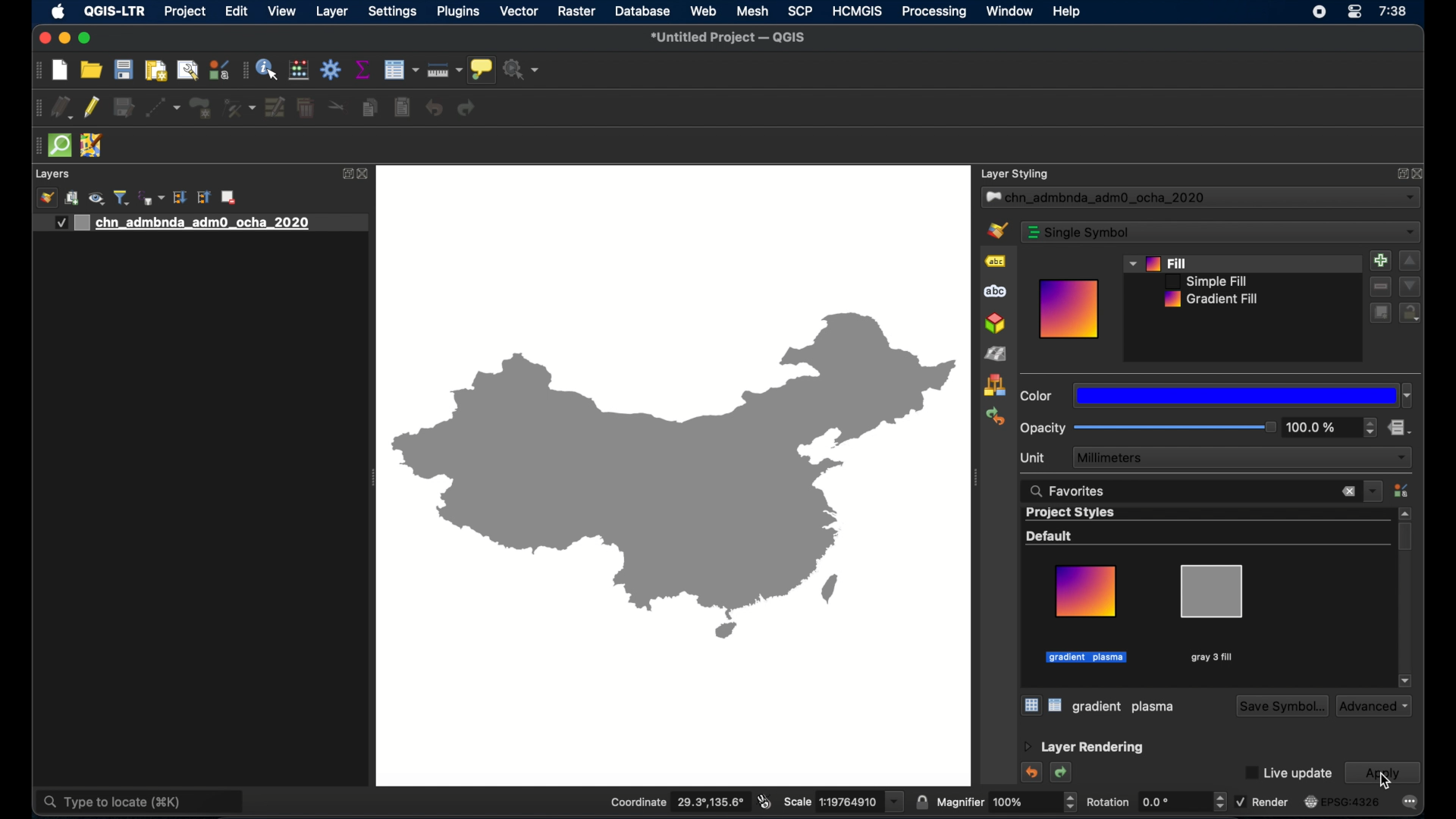 This screenshot has height=819, width=1456. What do you see at coordinates (1343, 801) in the screenshot?
I see `current crs` at bounding box center [1343, 801].